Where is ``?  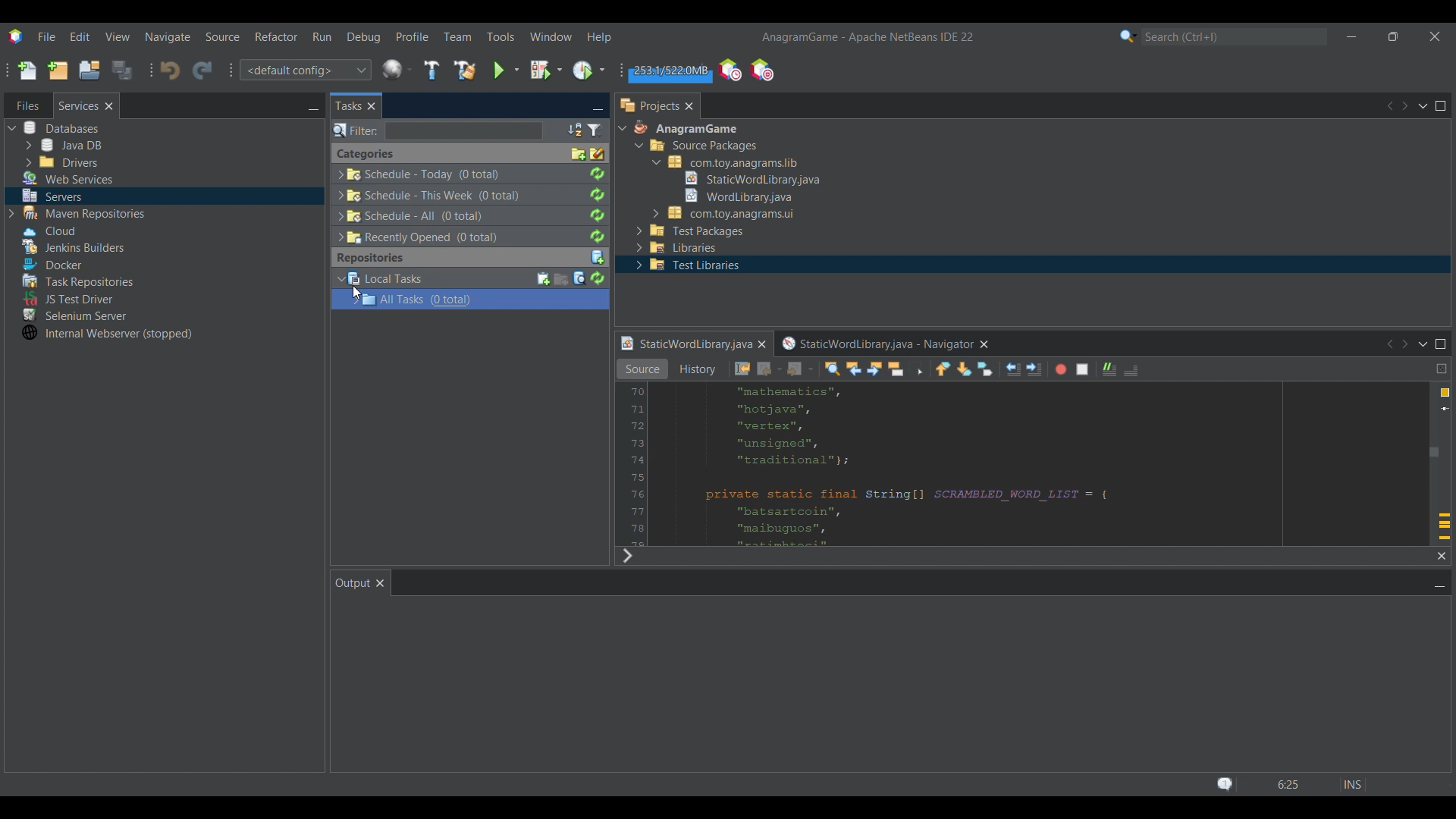  is located at coordinates (1128, 371).